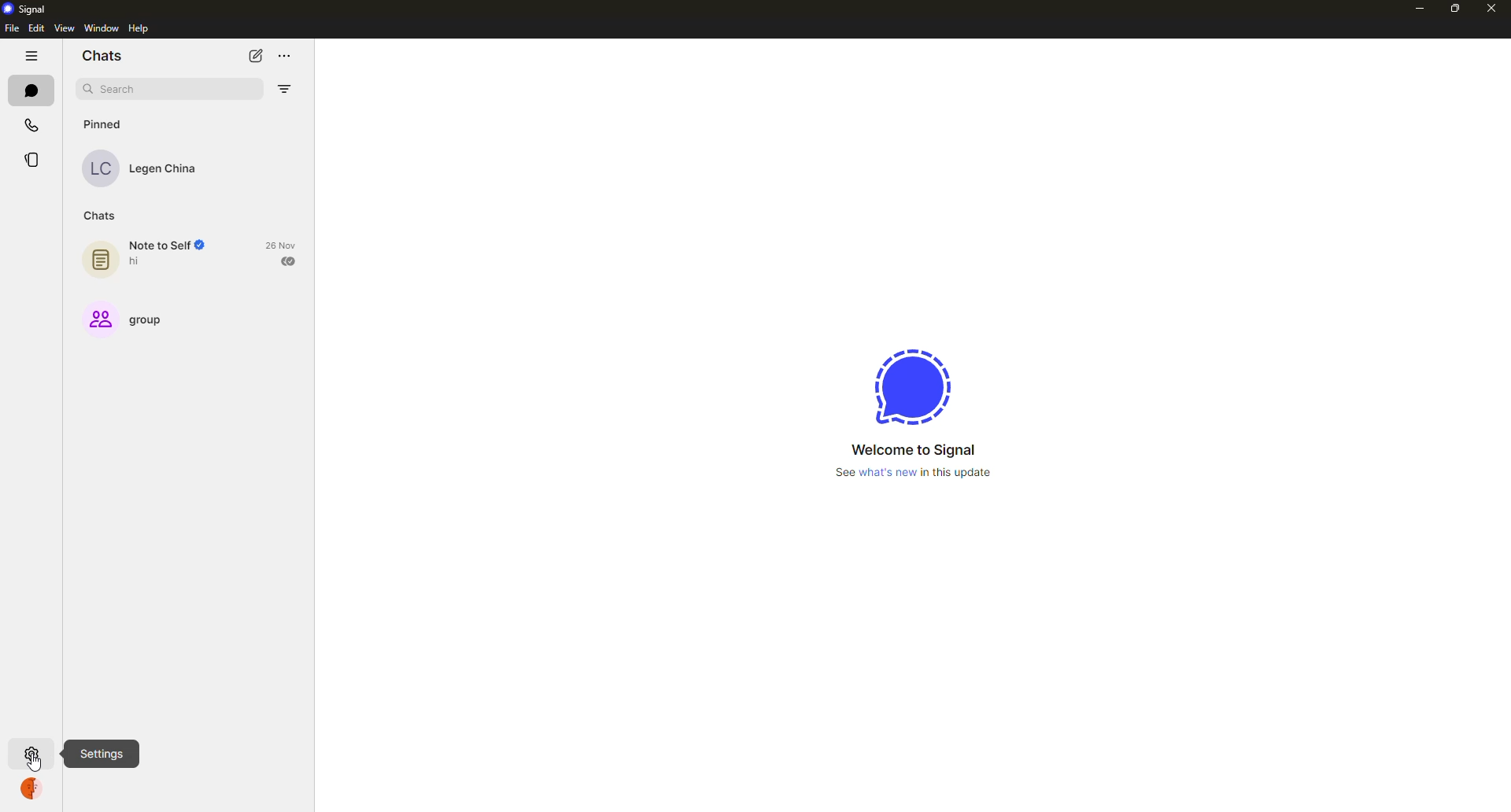 The width and height of the screenshot is (1511, 812). Describe the element at coordinates (31, 9) in the screenshot. I see `signal` at that location.